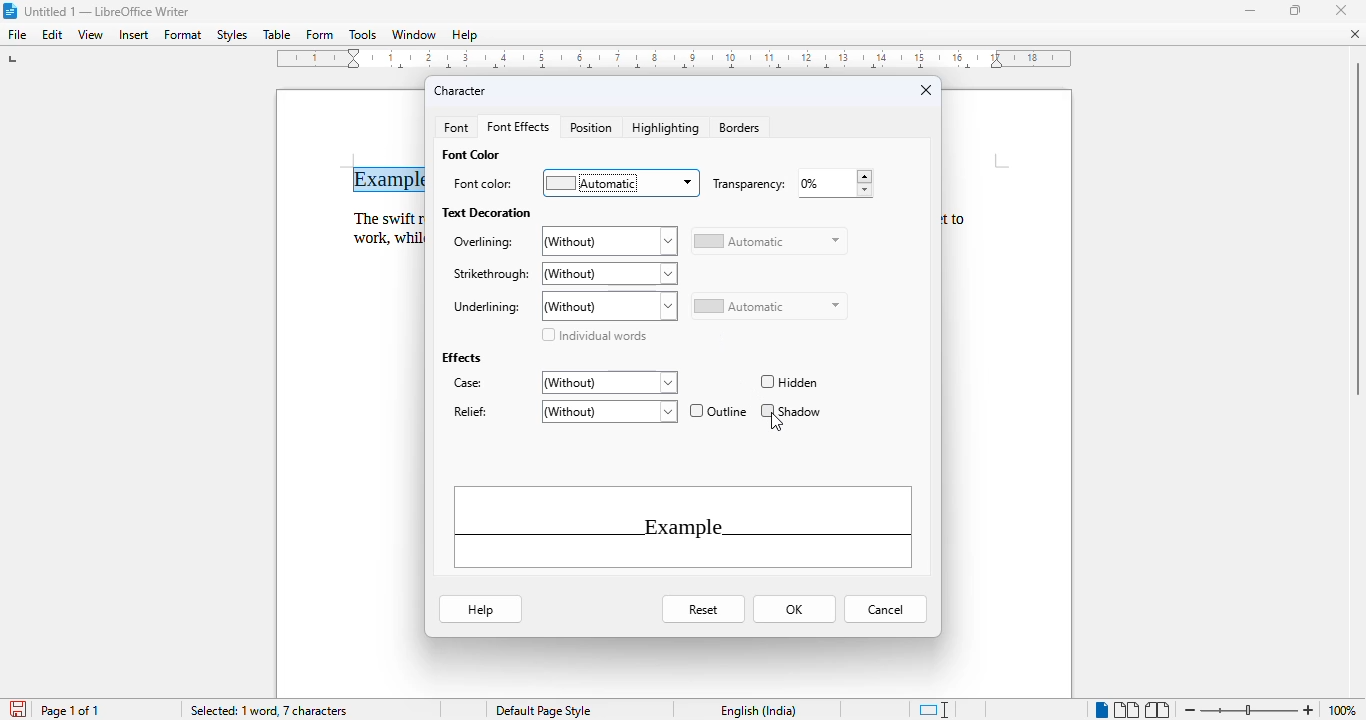 The width and height of the screenshot is (1366, 720). Describe the element at coordinates (382, 227) in the screenshot. I see `The swift work, whi` at that location.